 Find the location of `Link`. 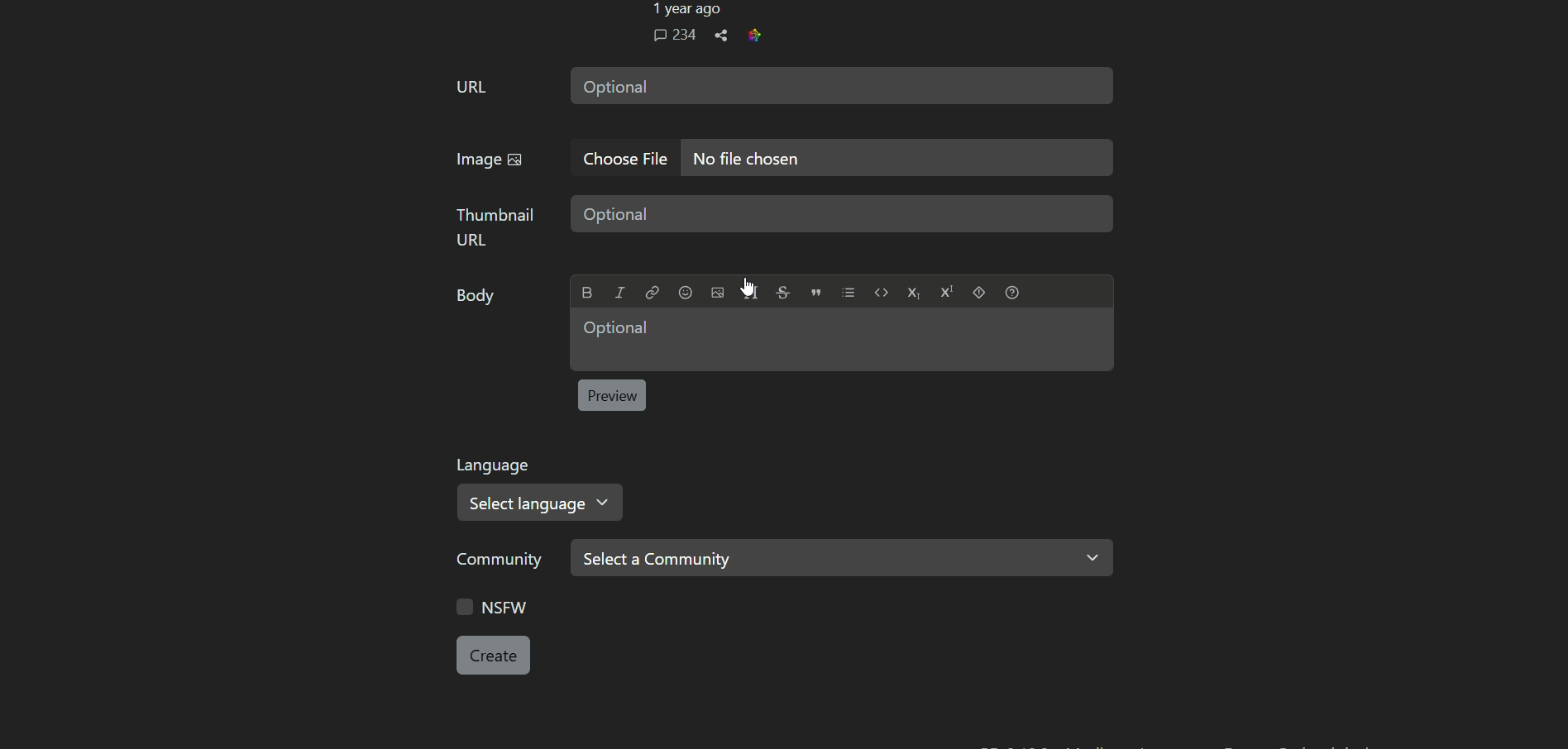

Link is located at coordinates (754, 35).